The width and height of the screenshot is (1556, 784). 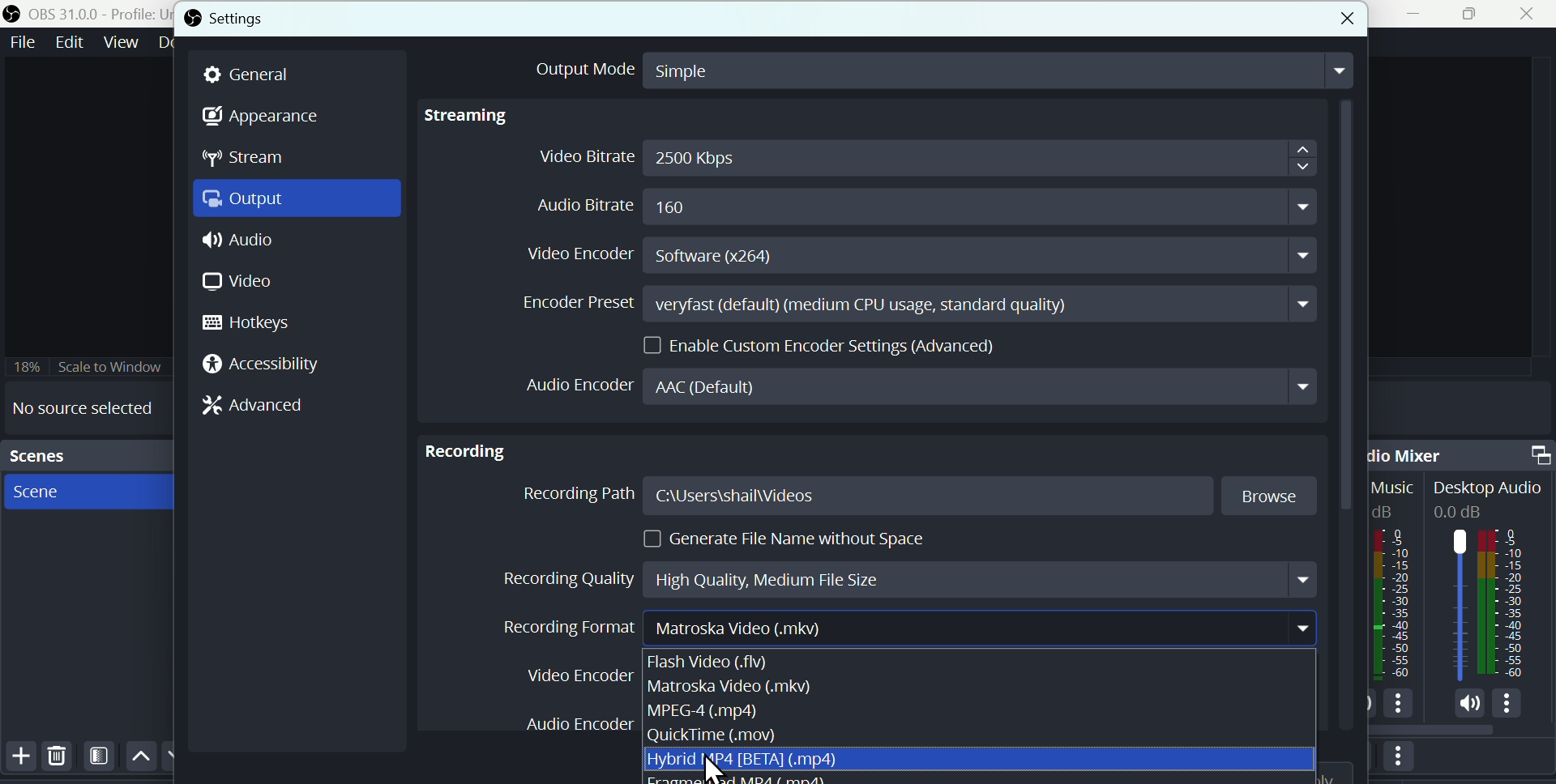 I want to click on Audio bitrate, so click(x=930, y=201).